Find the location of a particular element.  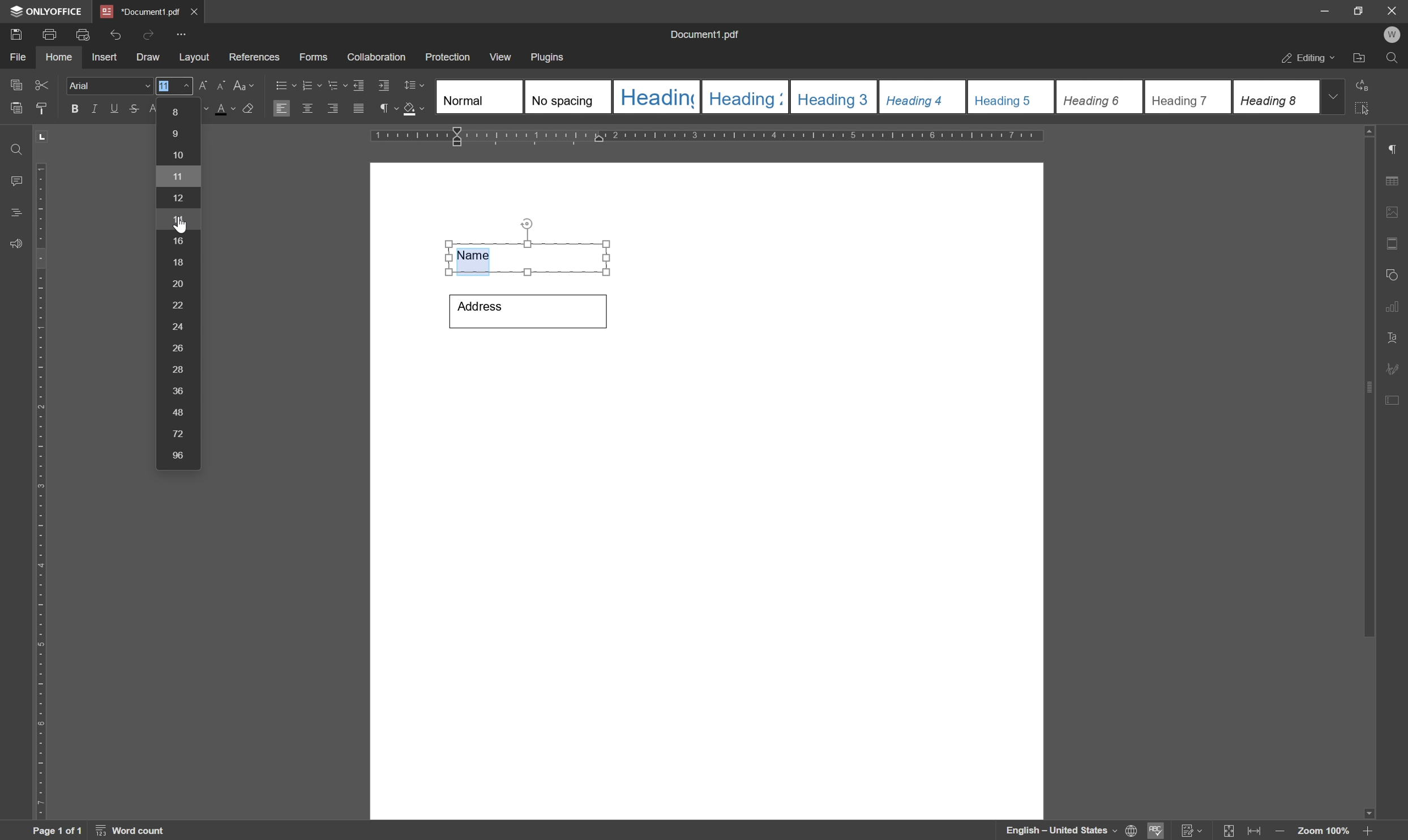

onlyoffice is located at coordinates (49, 11).